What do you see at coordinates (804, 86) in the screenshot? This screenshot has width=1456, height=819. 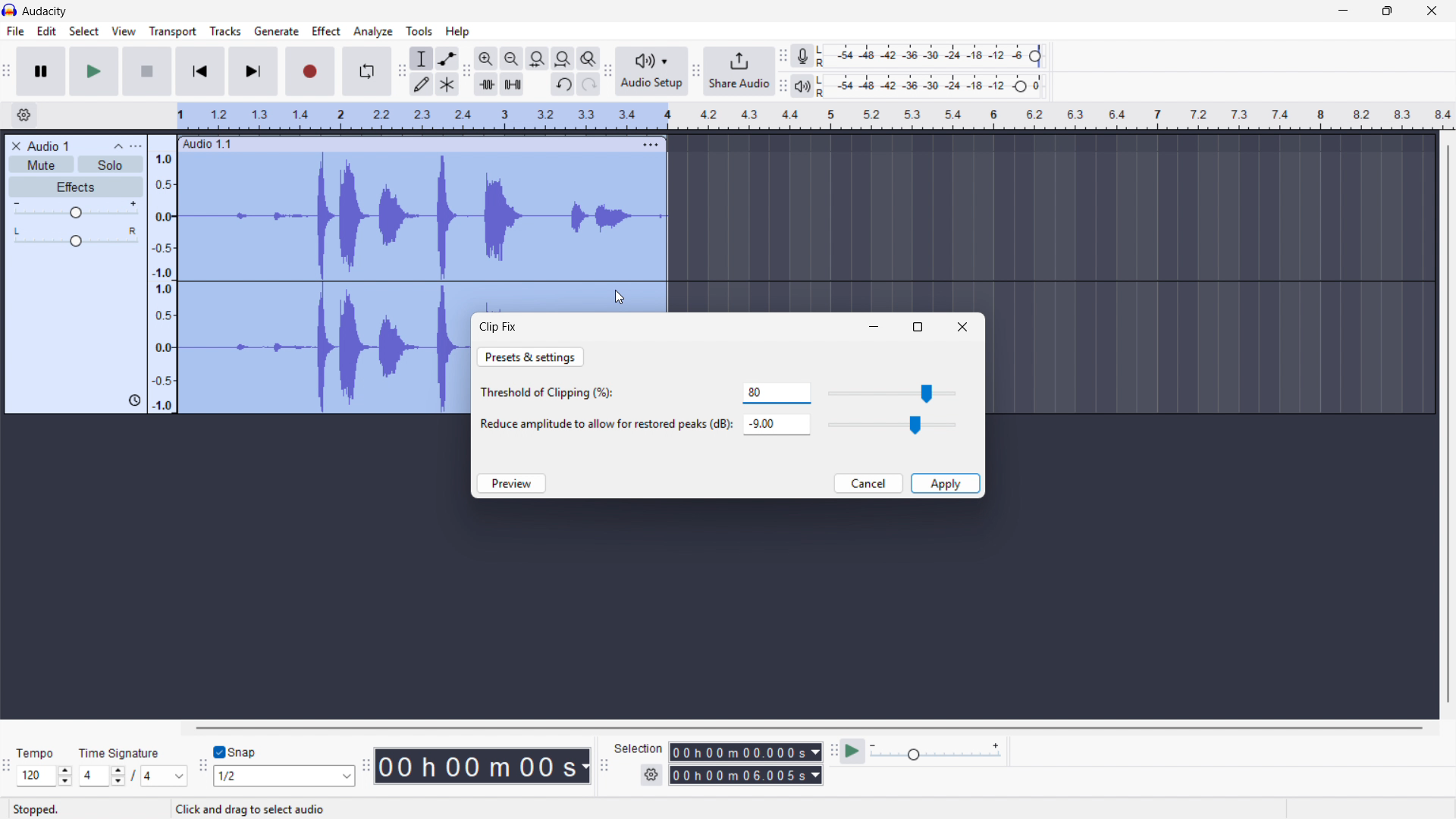 I see `Playback metre` at bounding box center [804, 86].